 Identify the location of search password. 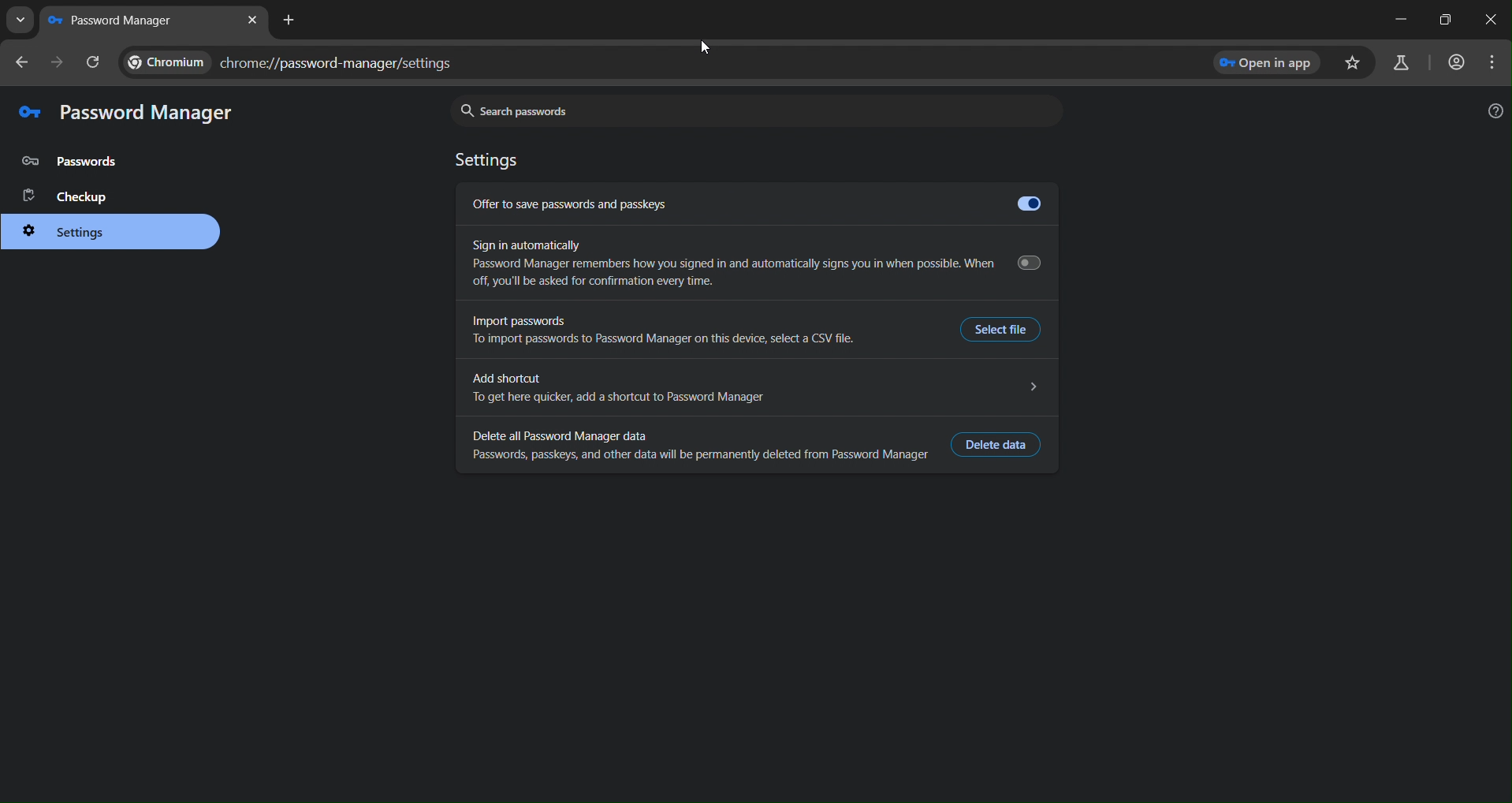
(753, 108).